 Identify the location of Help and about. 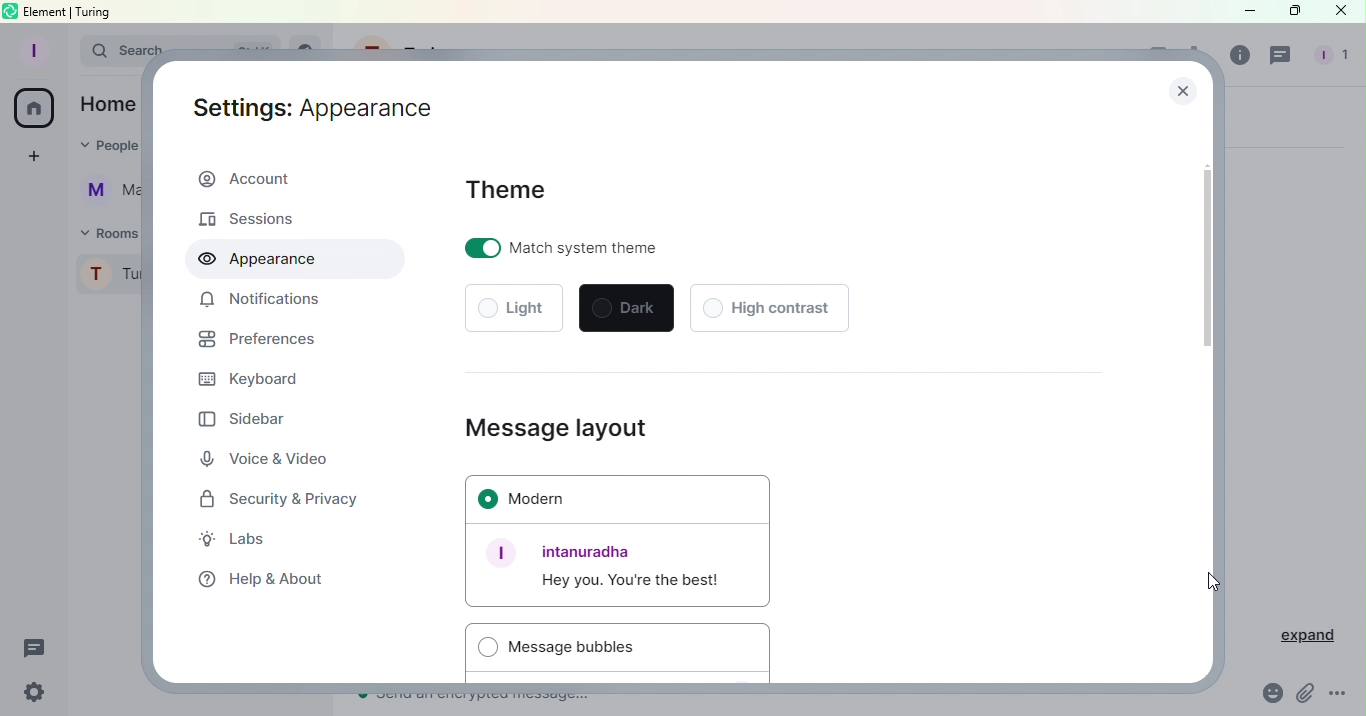
(260, 583).